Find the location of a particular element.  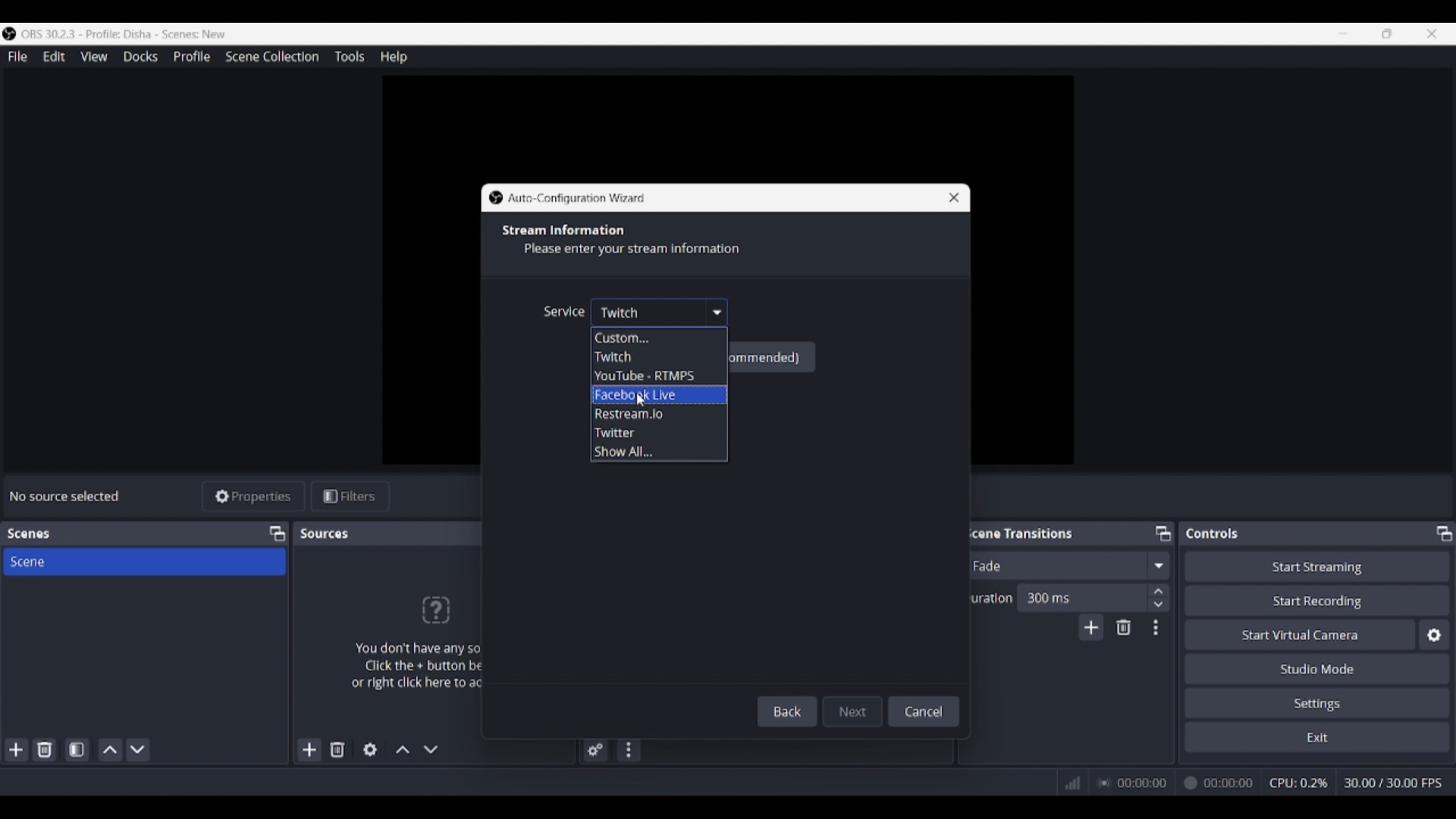

Service options to choose from is located at coordinates (645, 395).